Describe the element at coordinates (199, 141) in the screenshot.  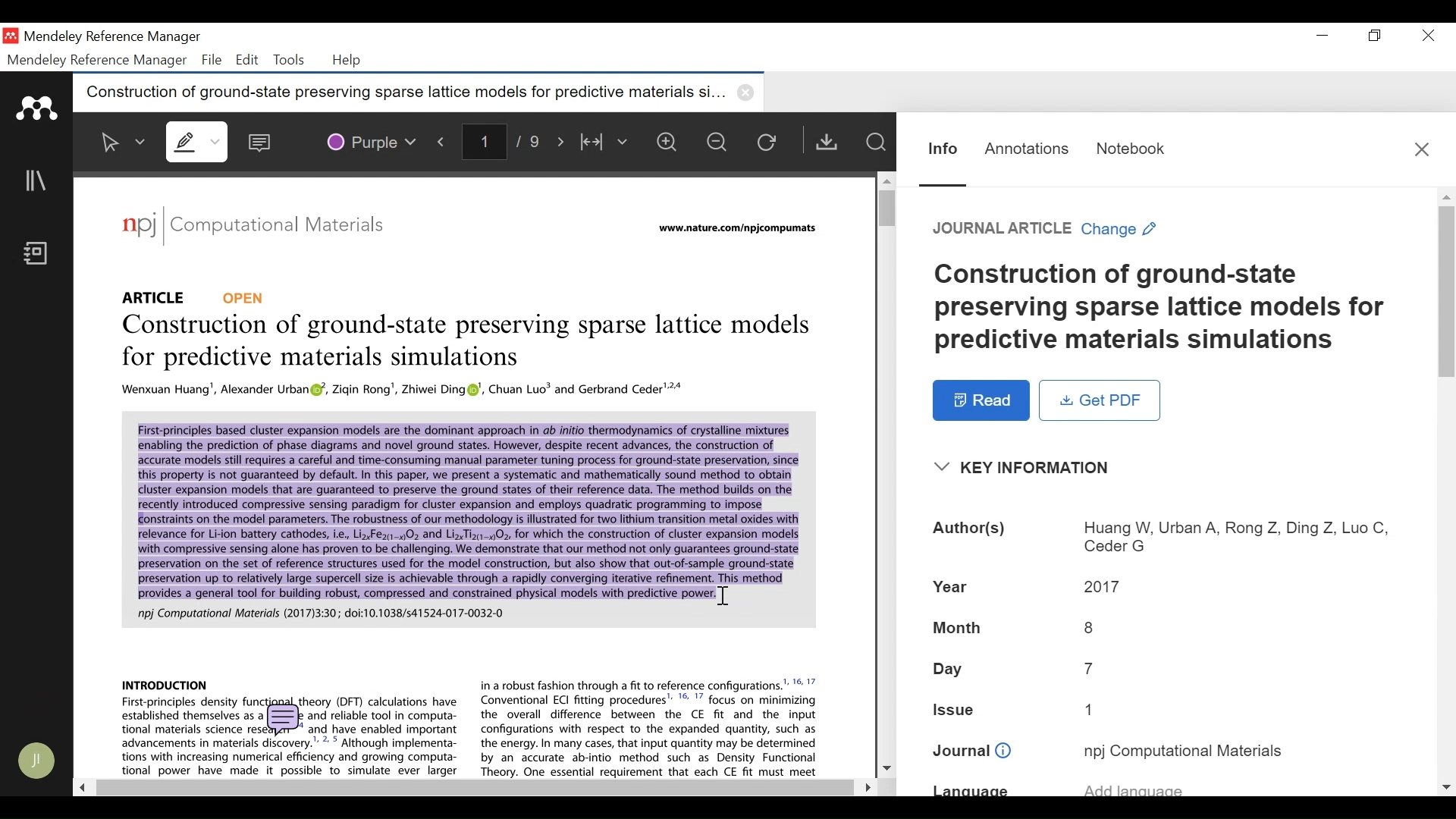
I see `Highlights` at that location.